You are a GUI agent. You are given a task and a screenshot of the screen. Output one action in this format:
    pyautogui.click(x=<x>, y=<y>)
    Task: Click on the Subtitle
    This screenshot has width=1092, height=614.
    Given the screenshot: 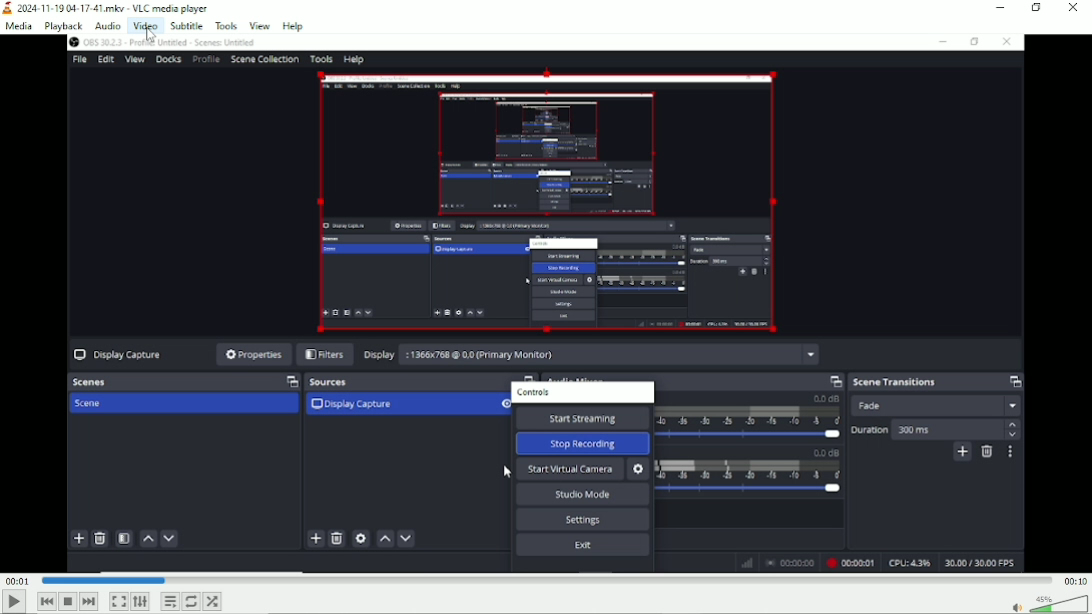 What is the action you would take?
    pyautogui.click(x=187, y=25)
    